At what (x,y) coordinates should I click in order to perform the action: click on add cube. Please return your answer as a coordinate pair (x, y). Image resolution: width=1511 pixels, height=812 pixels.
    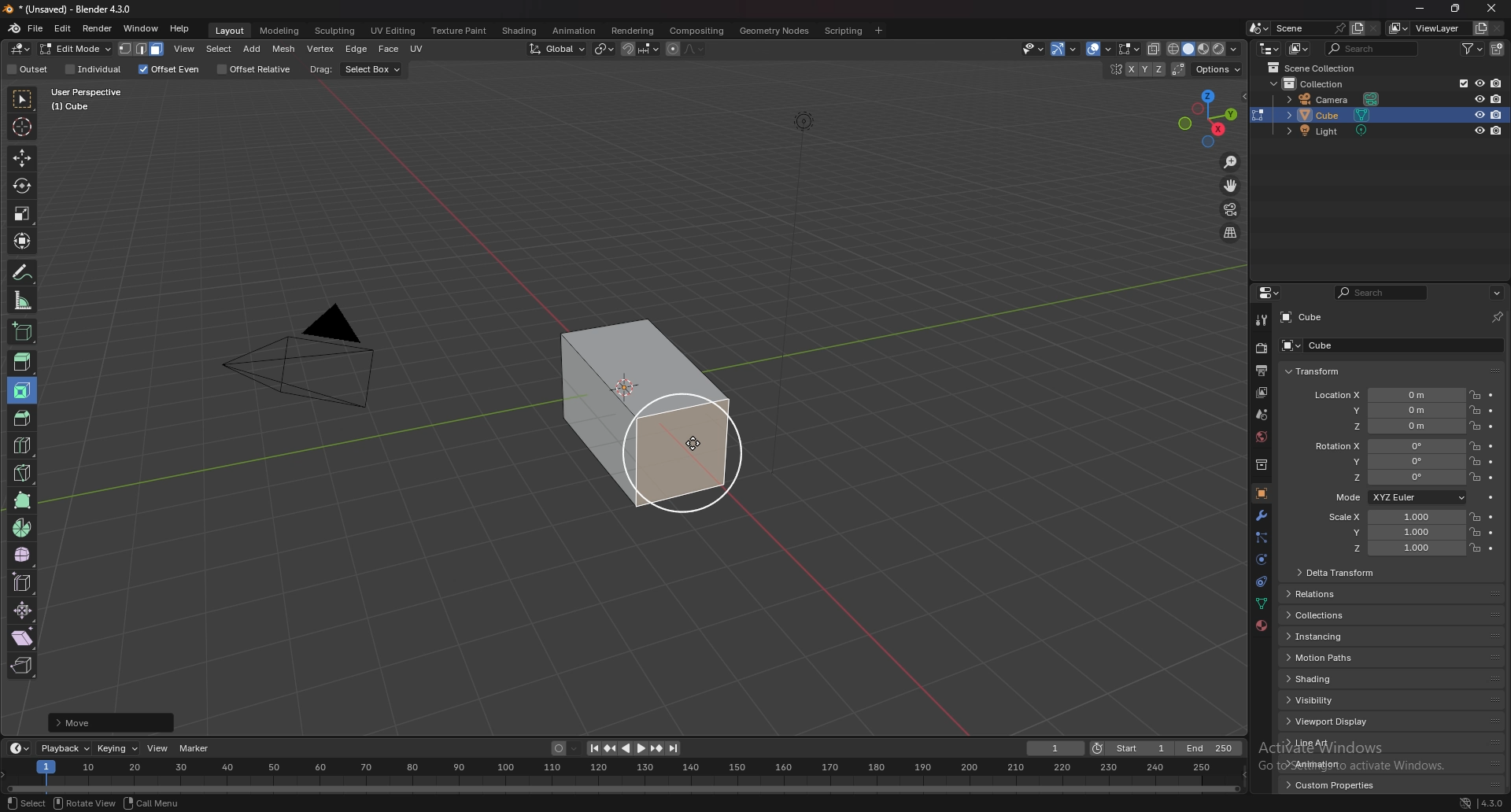
    Looking at the image, I should click on (22, 330).